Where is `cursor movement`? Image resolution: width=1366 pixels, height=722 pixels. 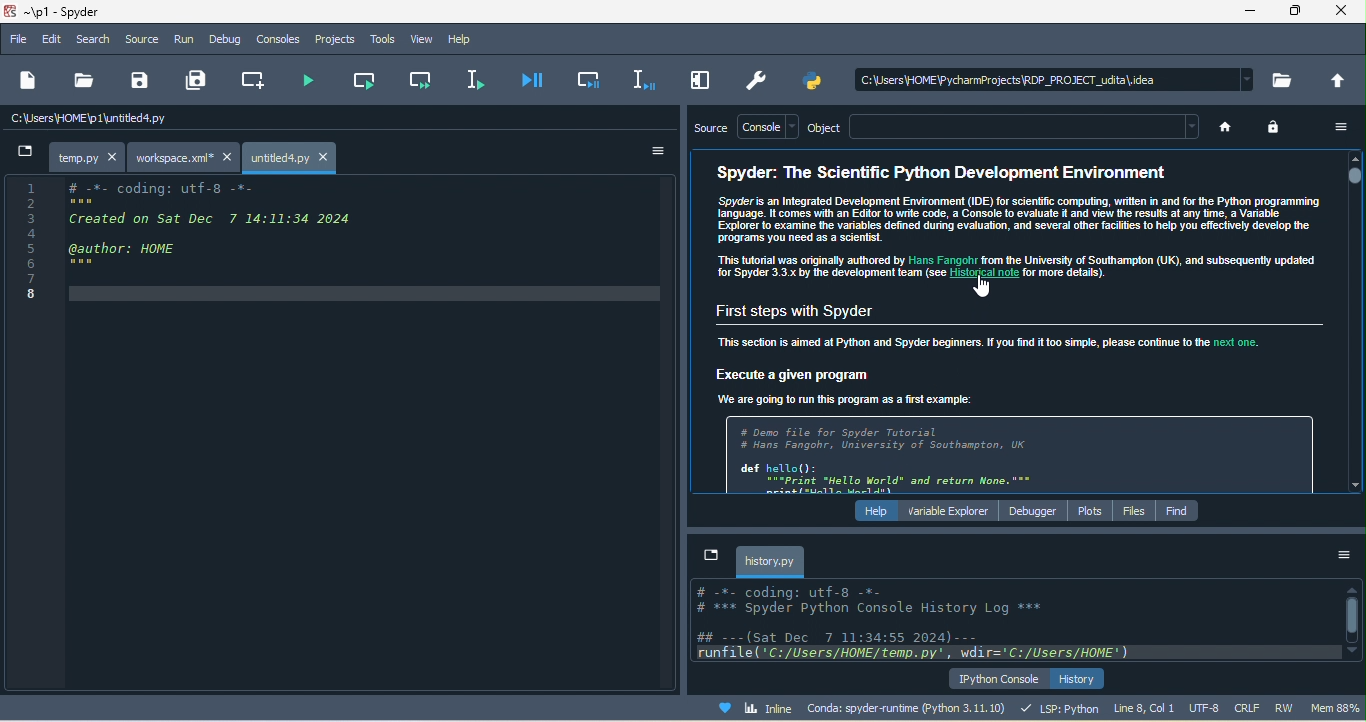
cursor movement is located at coordinates (982, 286).